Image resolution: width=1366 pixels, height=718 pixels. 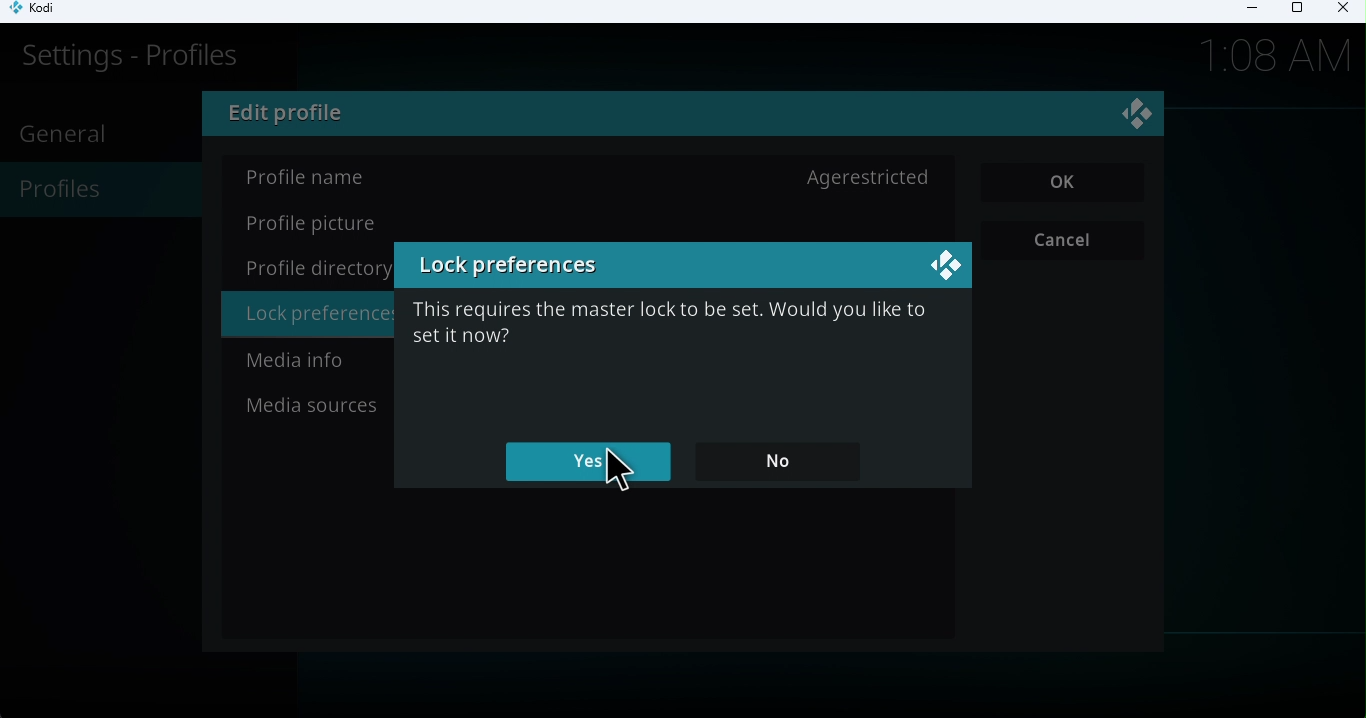 What do you see at coordinates (514, 268) in the screenshot?
I see `Lock prefrences` at bounding box center [514, 268].